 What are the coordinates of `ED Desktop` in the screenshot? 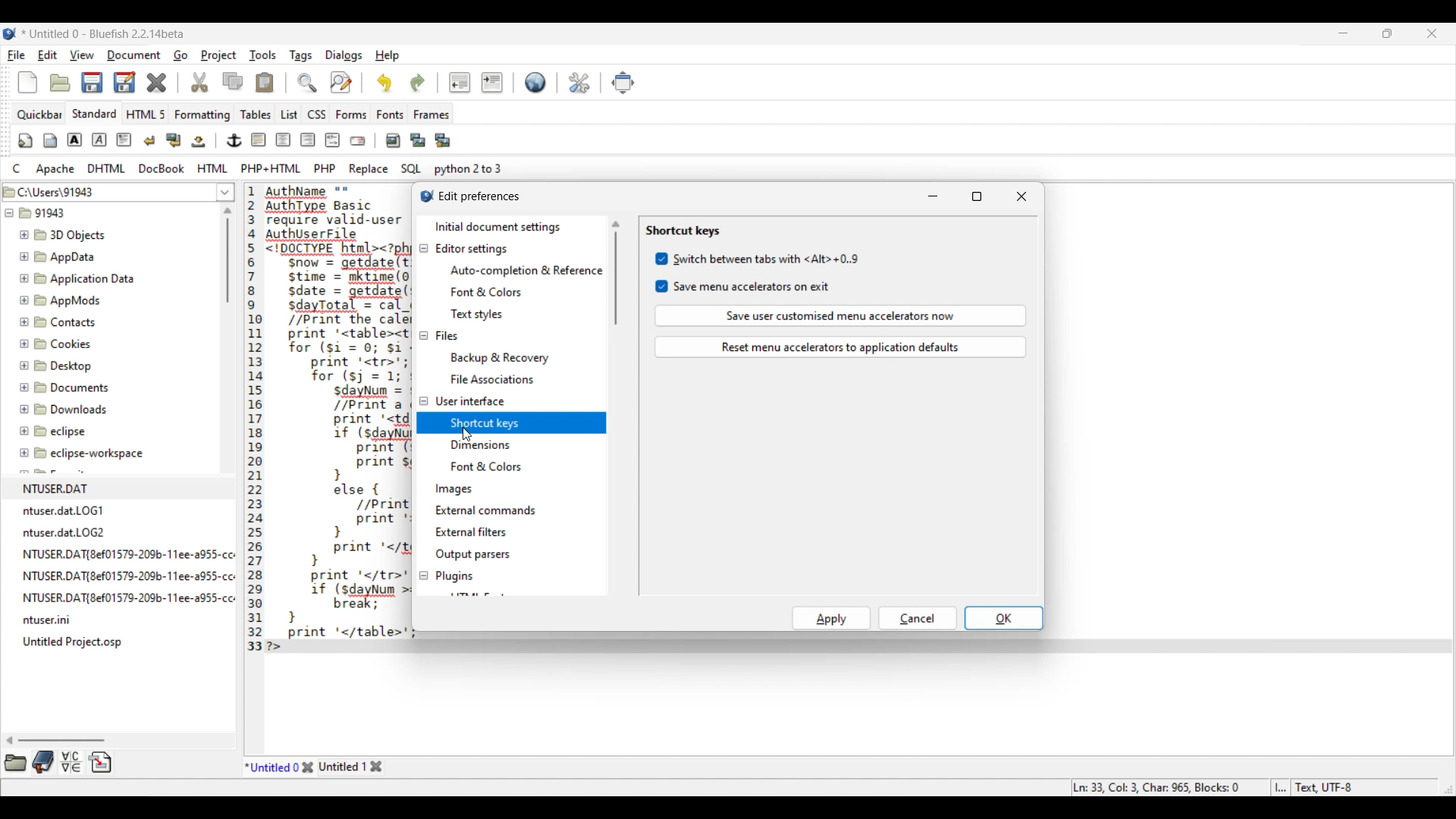 It's located at (62, 369).